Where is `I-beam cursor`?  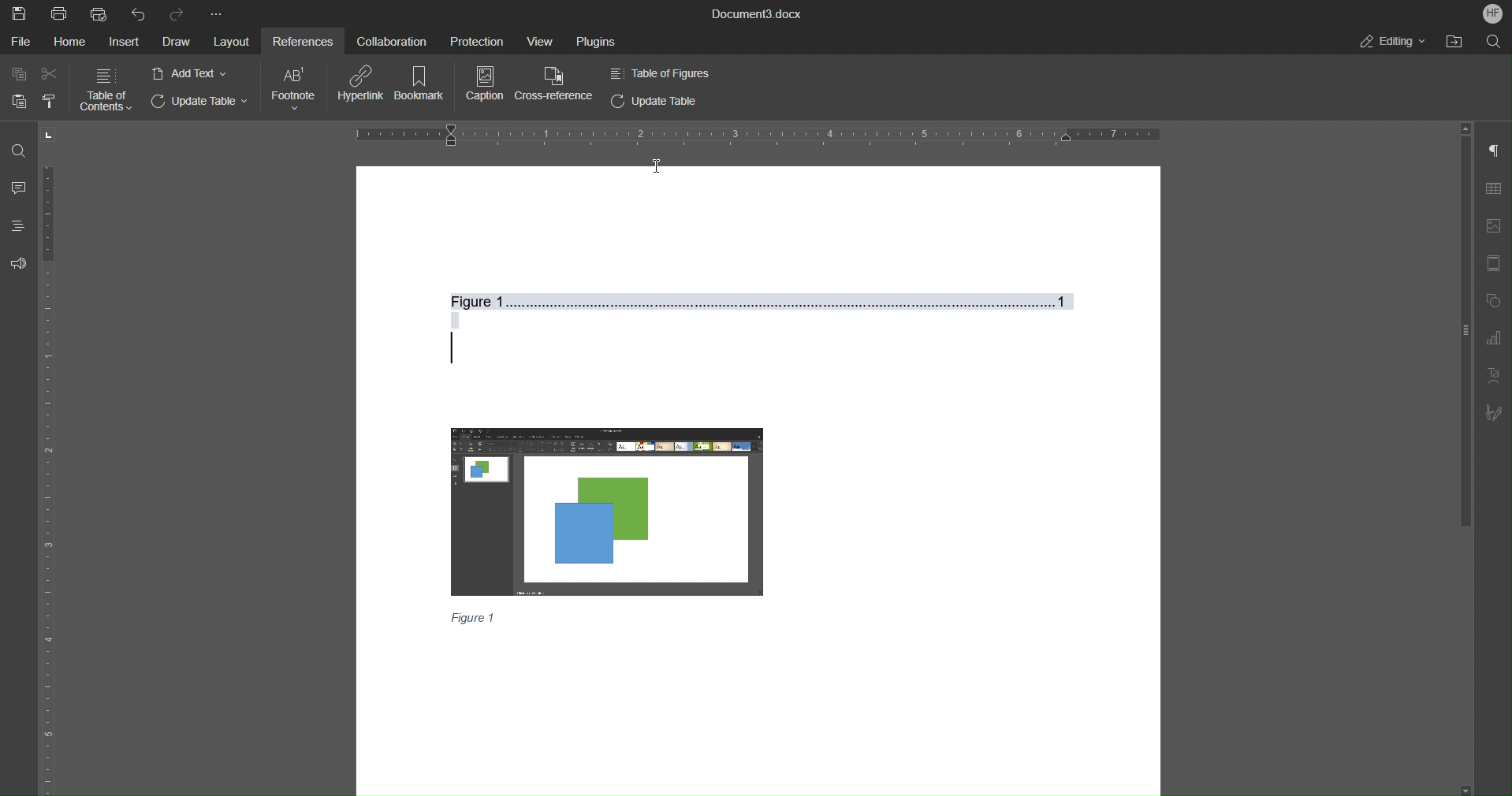
I-beam cursor is located at coordinates (658, 169).